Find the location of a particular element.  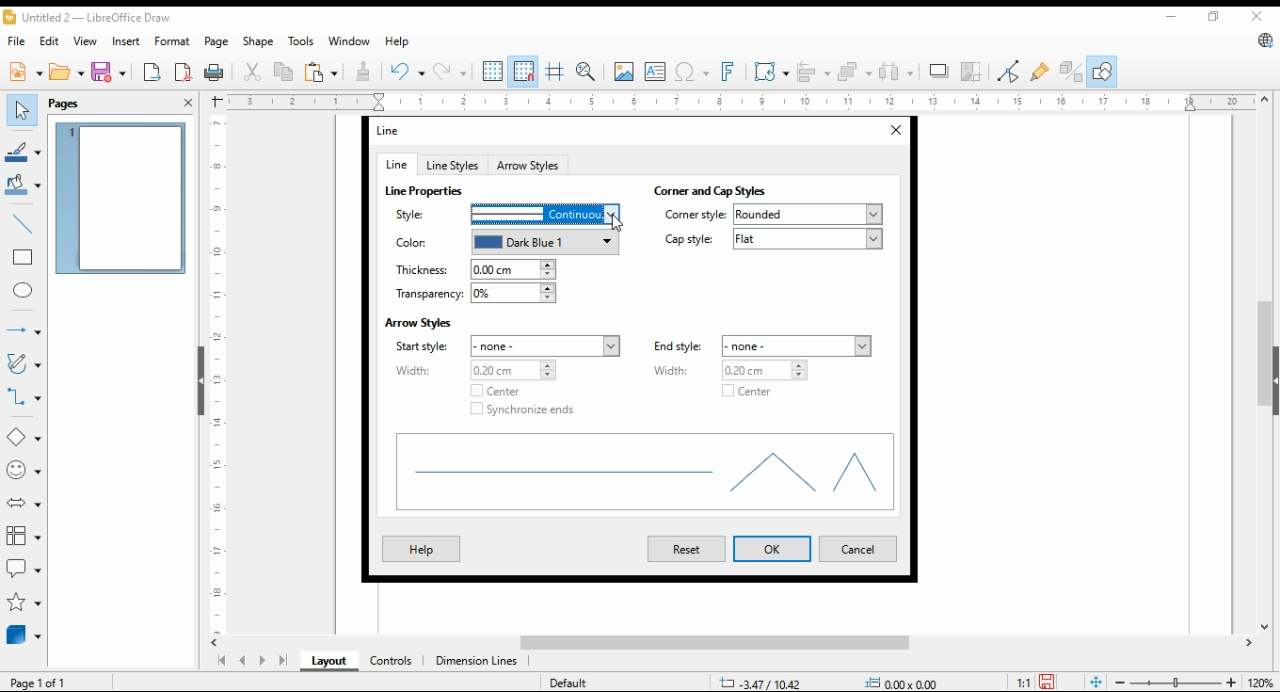

select is located at coordinates (22, 110).